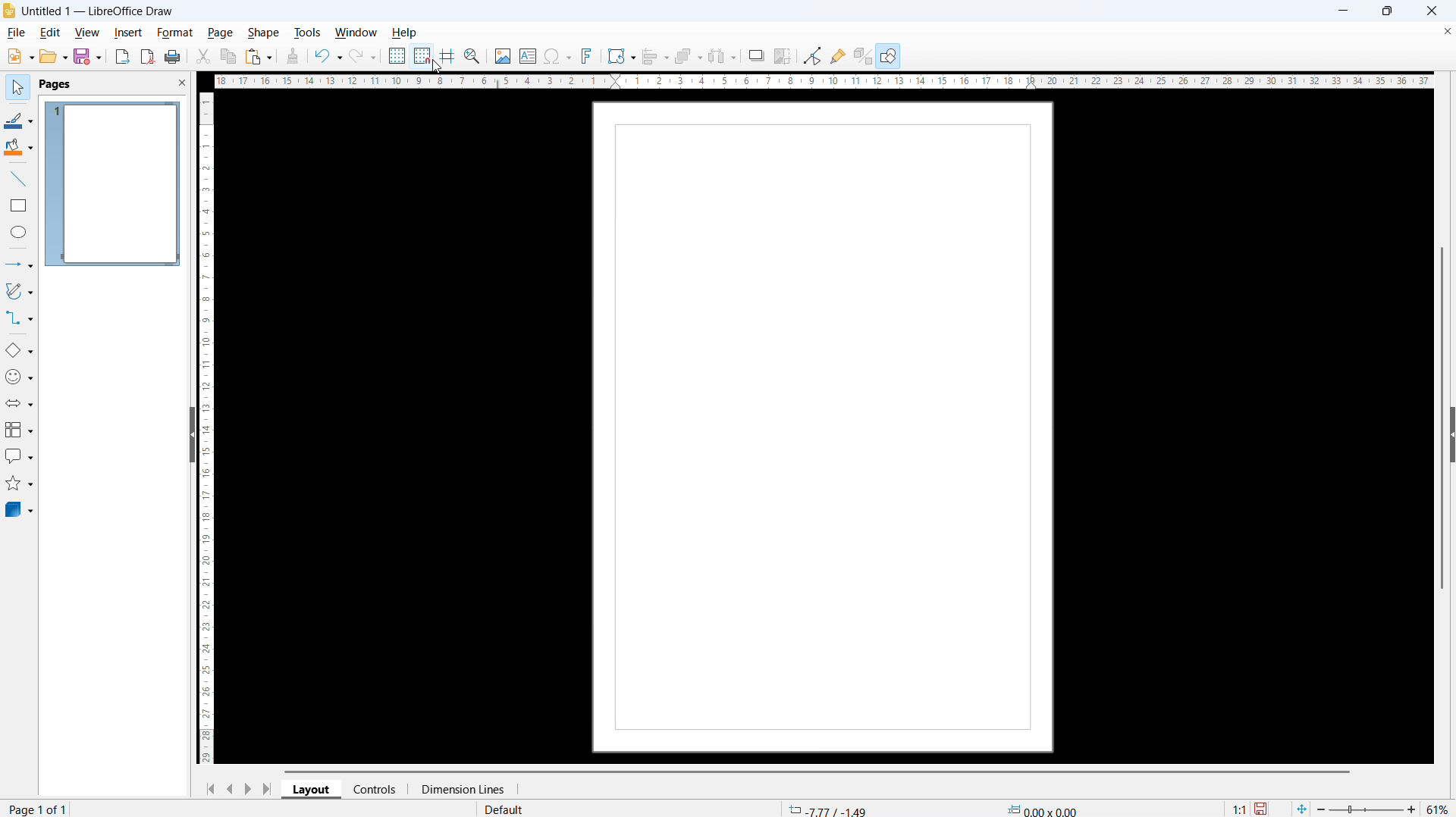 The image size is (1456, 817). I want to click on Crop image , so click(784, 56).